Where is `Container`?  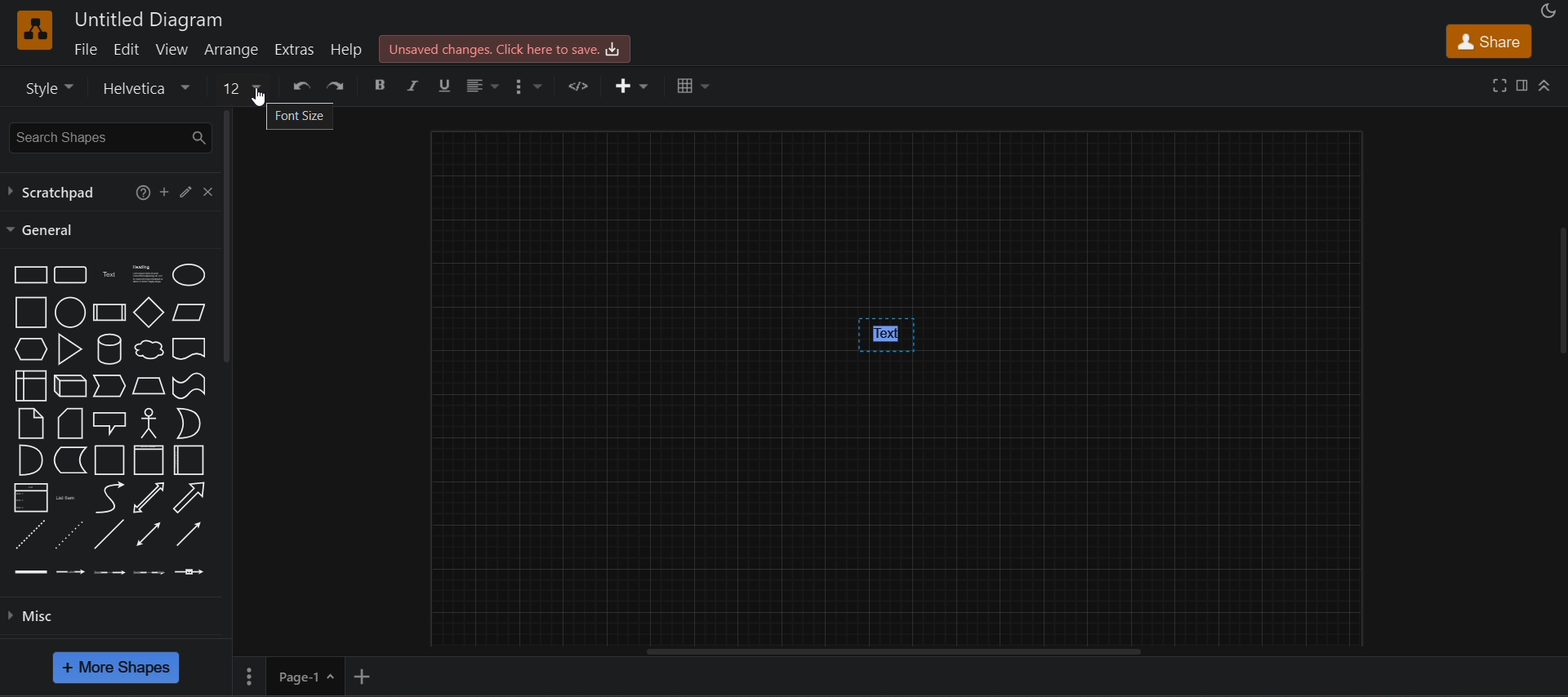 Container is located at coordinates (110, 460).